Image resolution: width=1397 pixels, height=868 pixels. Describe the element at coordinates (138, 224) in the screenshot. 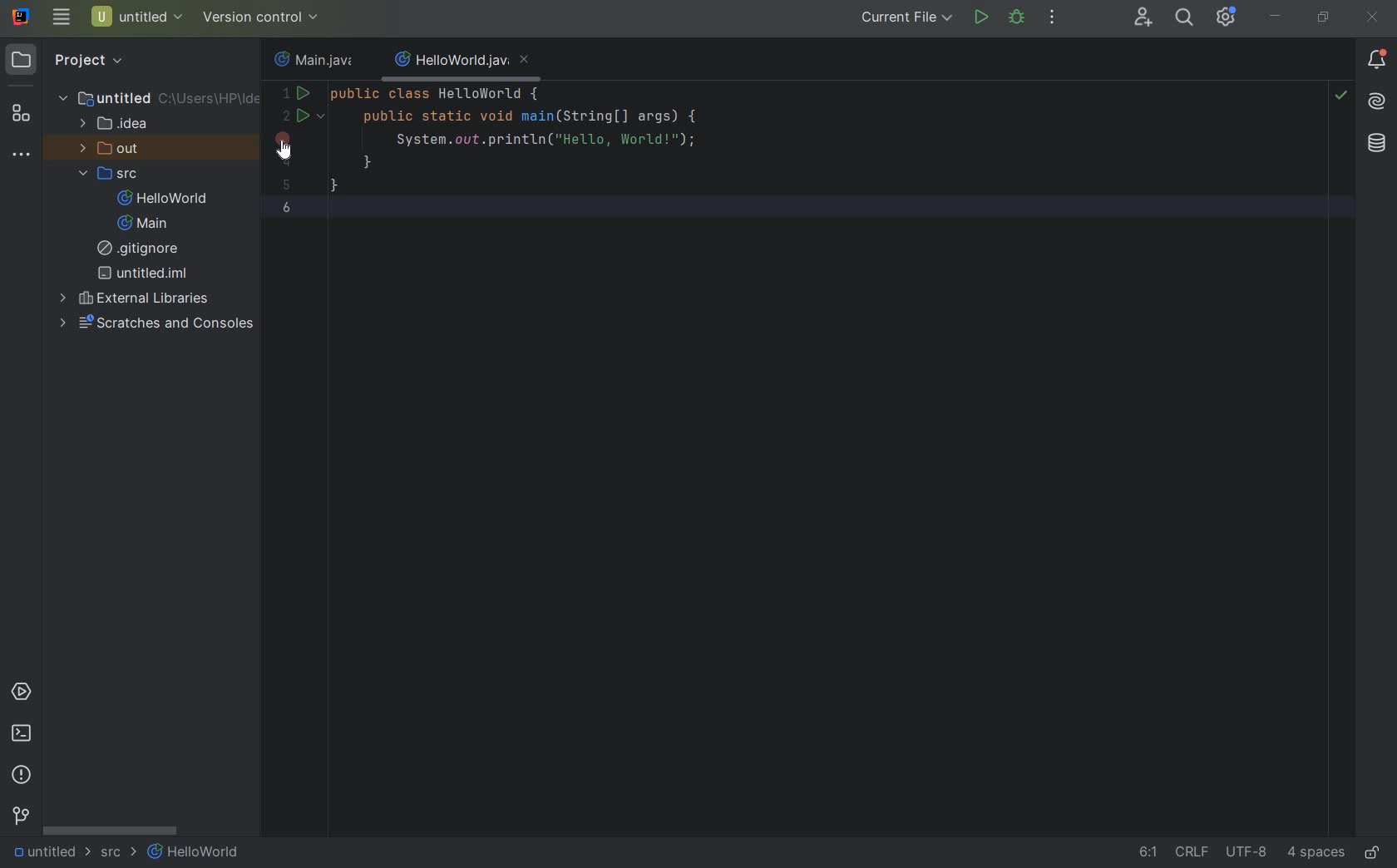

I see `main` at that location.